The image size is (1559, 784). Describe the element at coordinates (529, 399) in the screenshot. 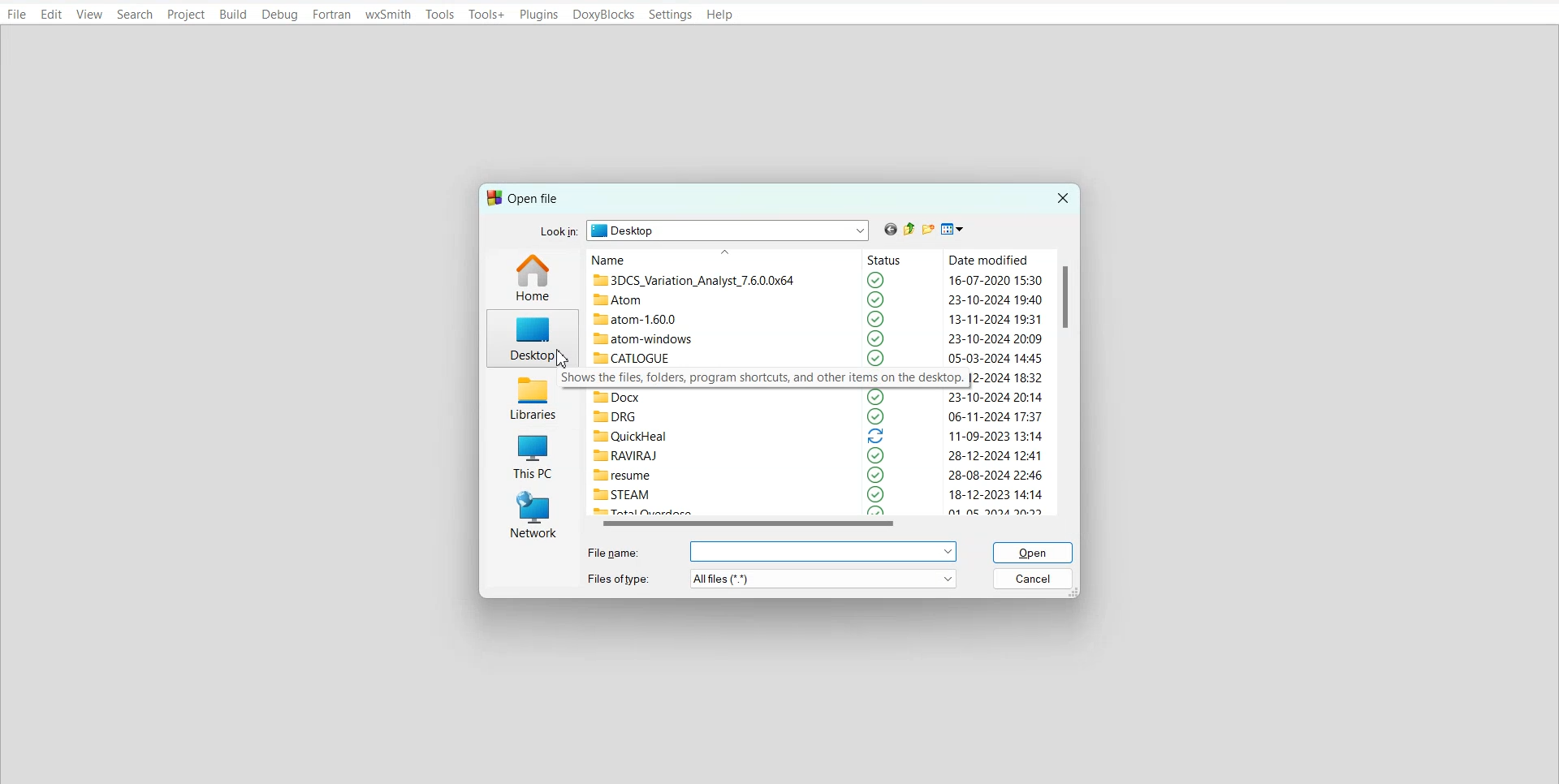

I see `Libraries` at that location.